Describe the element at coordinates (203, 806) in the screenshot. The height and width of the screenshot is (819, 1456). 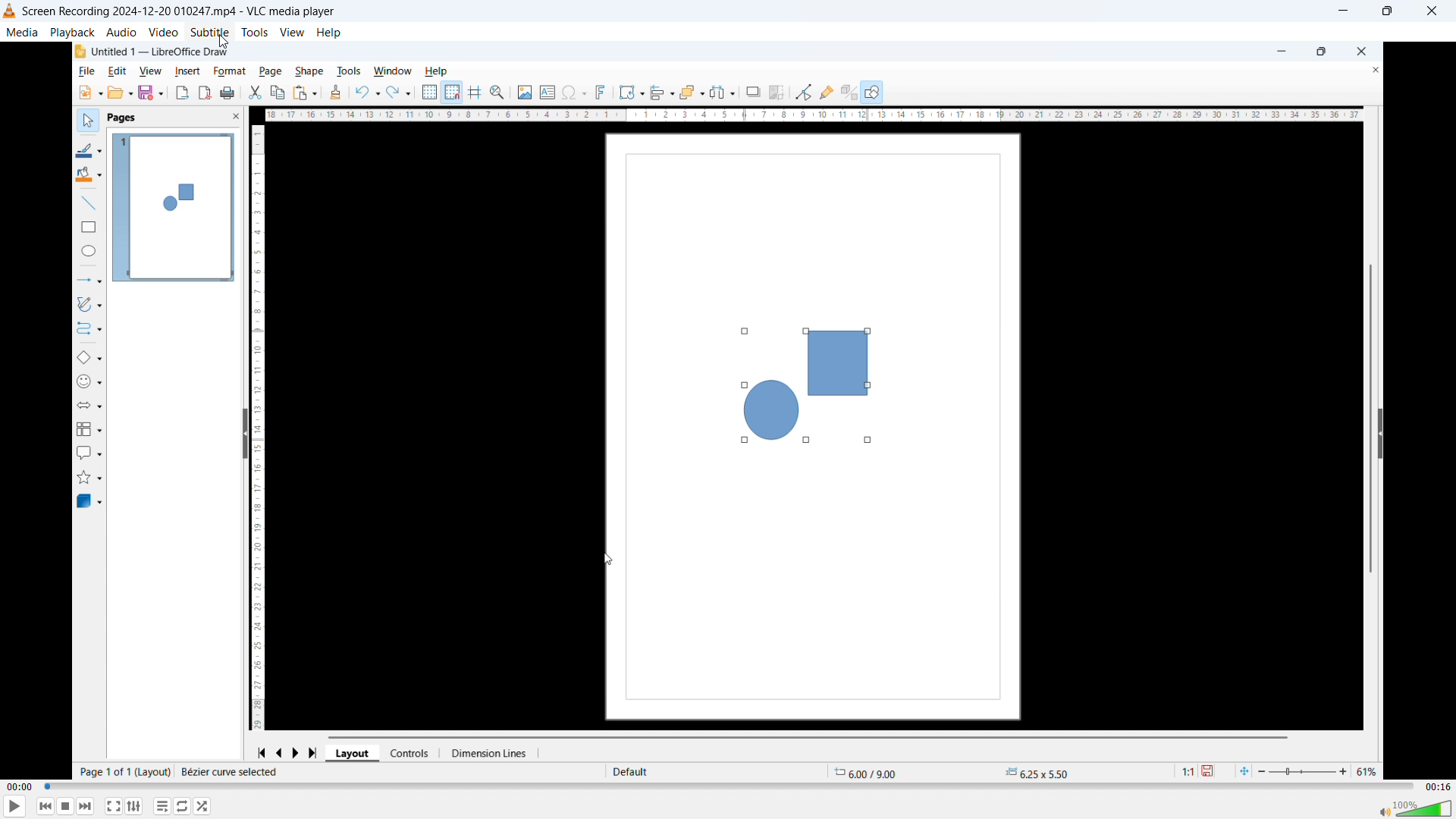
I see `Random ` at that location.